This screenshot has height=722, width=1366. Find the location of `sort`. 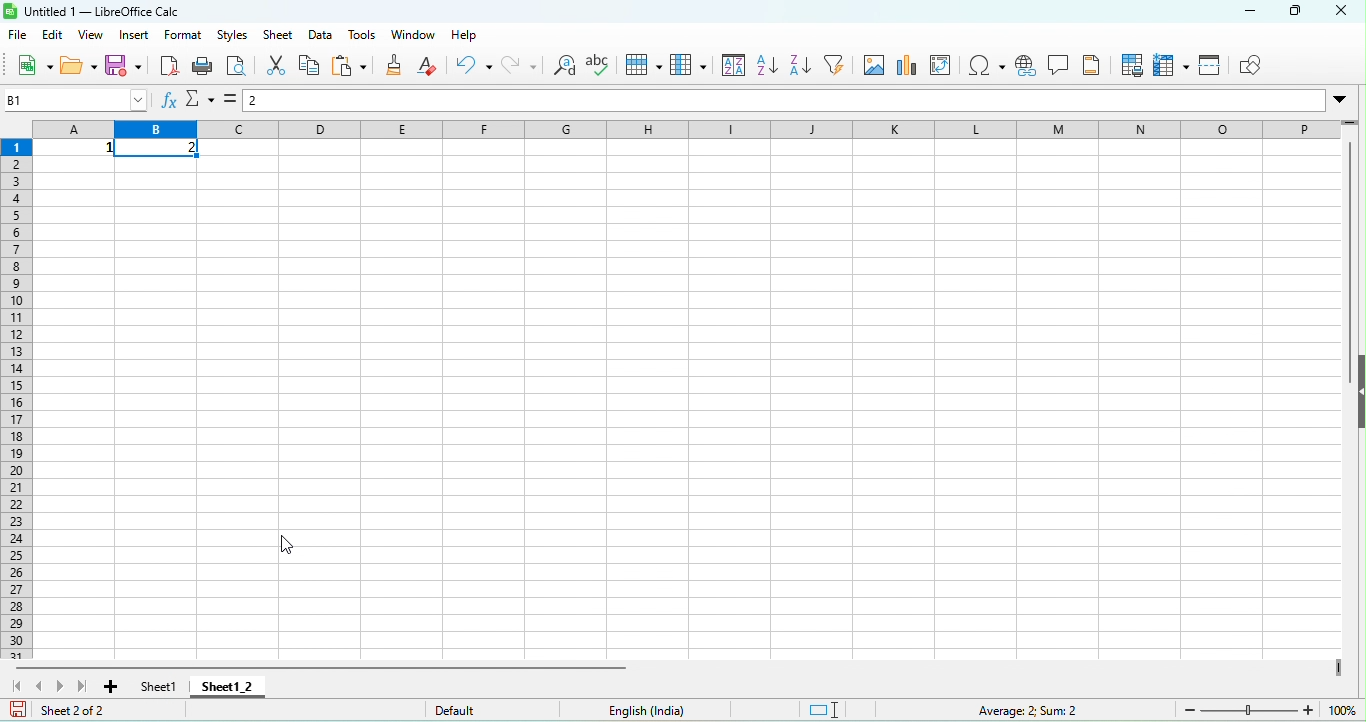

sort is located at coordinates (729, 68).